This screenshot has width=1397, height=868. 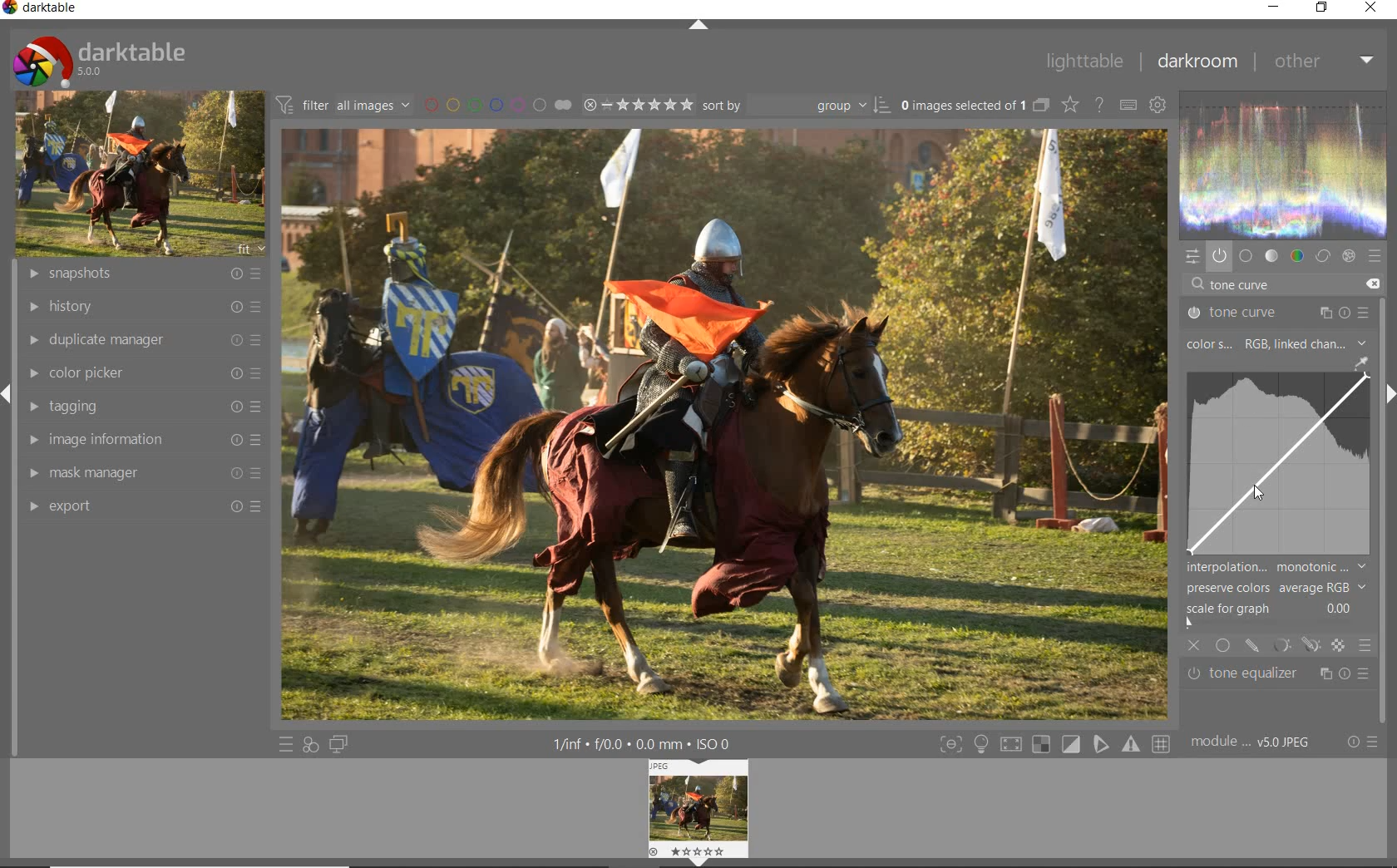 What do you see at coordinates (1072, 106) in the screenshot?
I see `change type of overlays` at bounding box center [1072, 106].